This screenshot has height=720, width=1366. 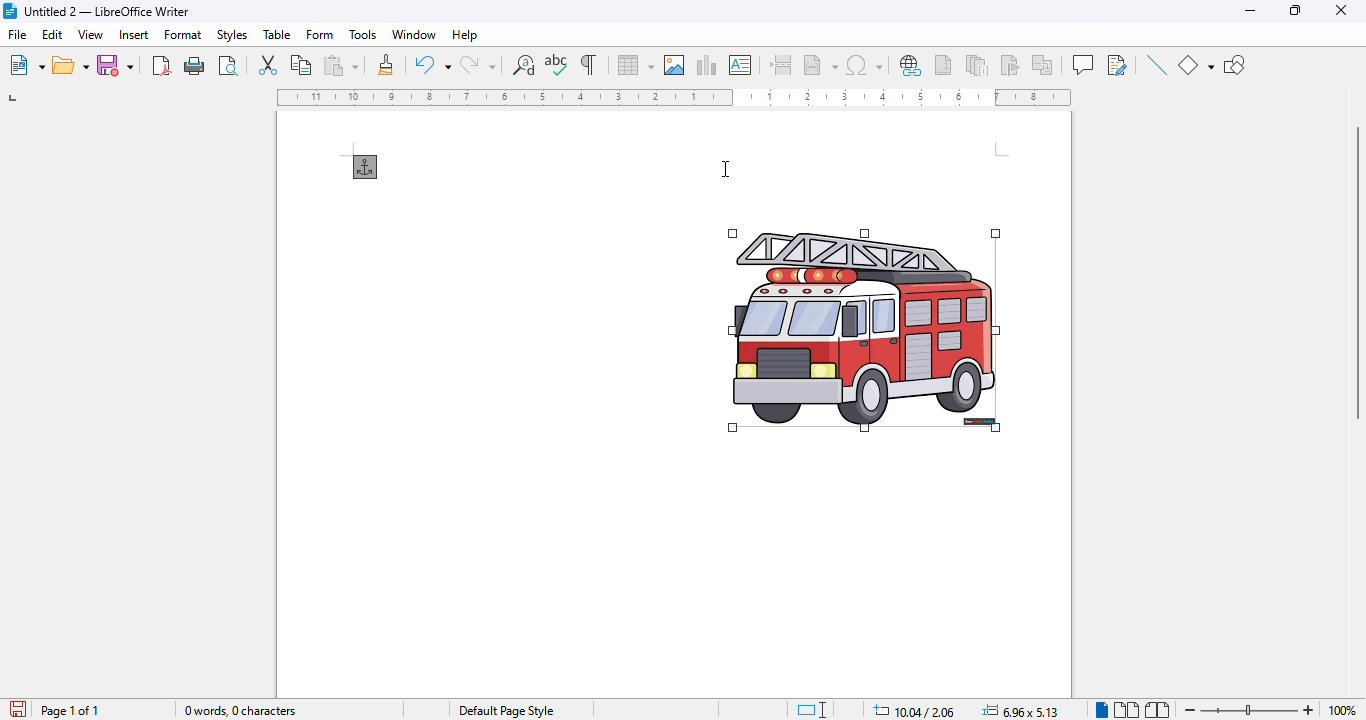 What do you see at coordinates (1042, 64) in the screenshot?
I see `insert cross-reference` at bounding box center [1042, 64].